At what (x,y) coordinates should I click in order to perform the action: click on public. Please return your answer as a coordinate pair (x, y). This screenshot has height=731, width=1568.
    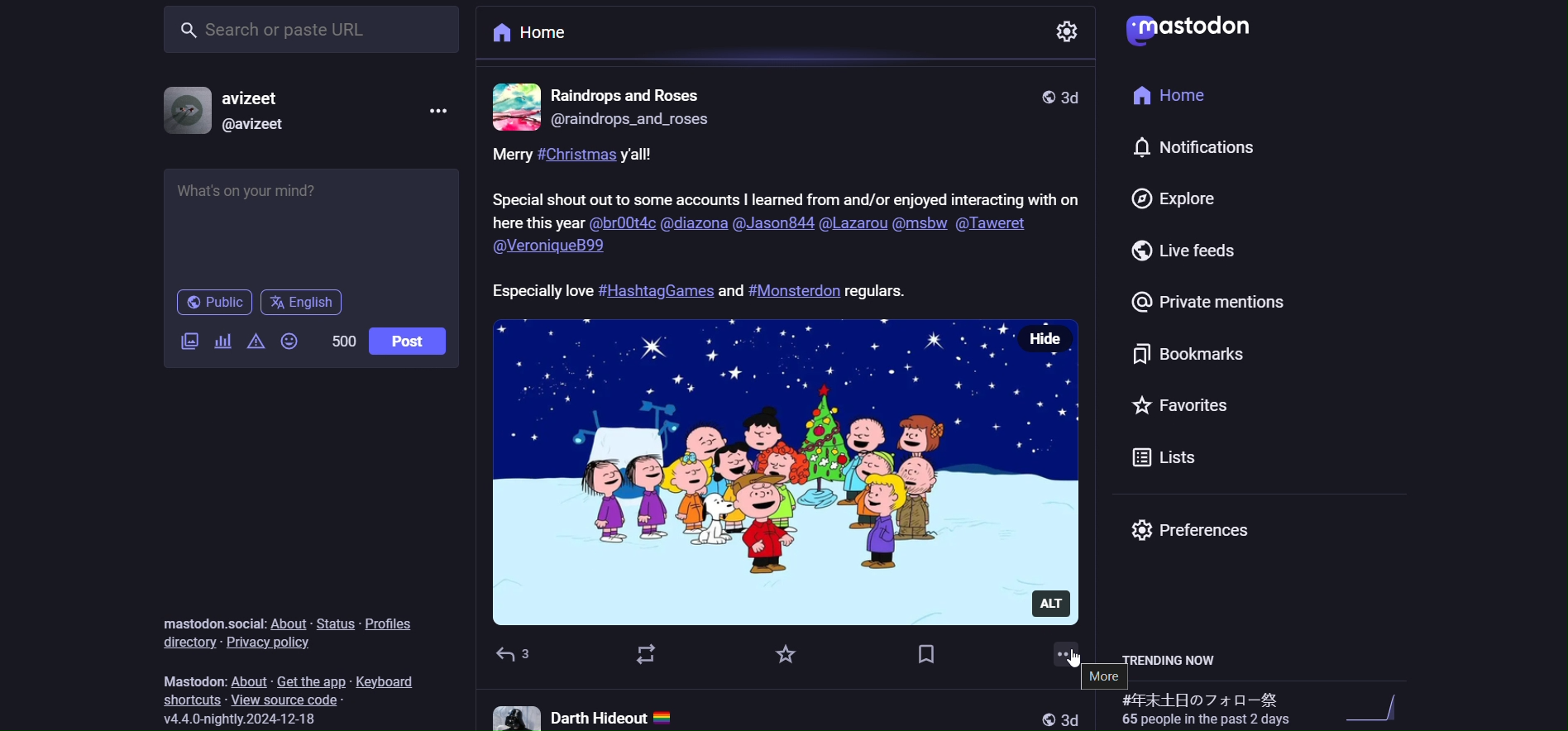
    Looking at the image, I should click on (1042, 97).